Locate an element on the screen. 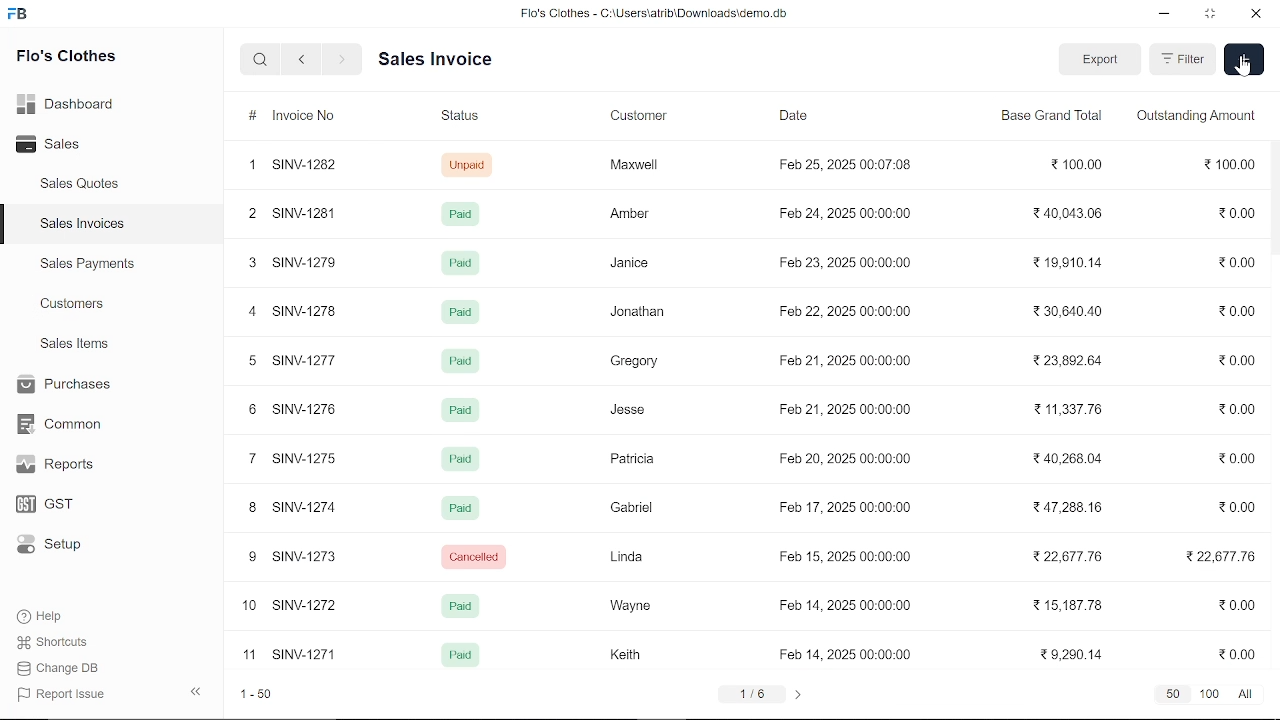  previous is located at coordinates (302, 59).